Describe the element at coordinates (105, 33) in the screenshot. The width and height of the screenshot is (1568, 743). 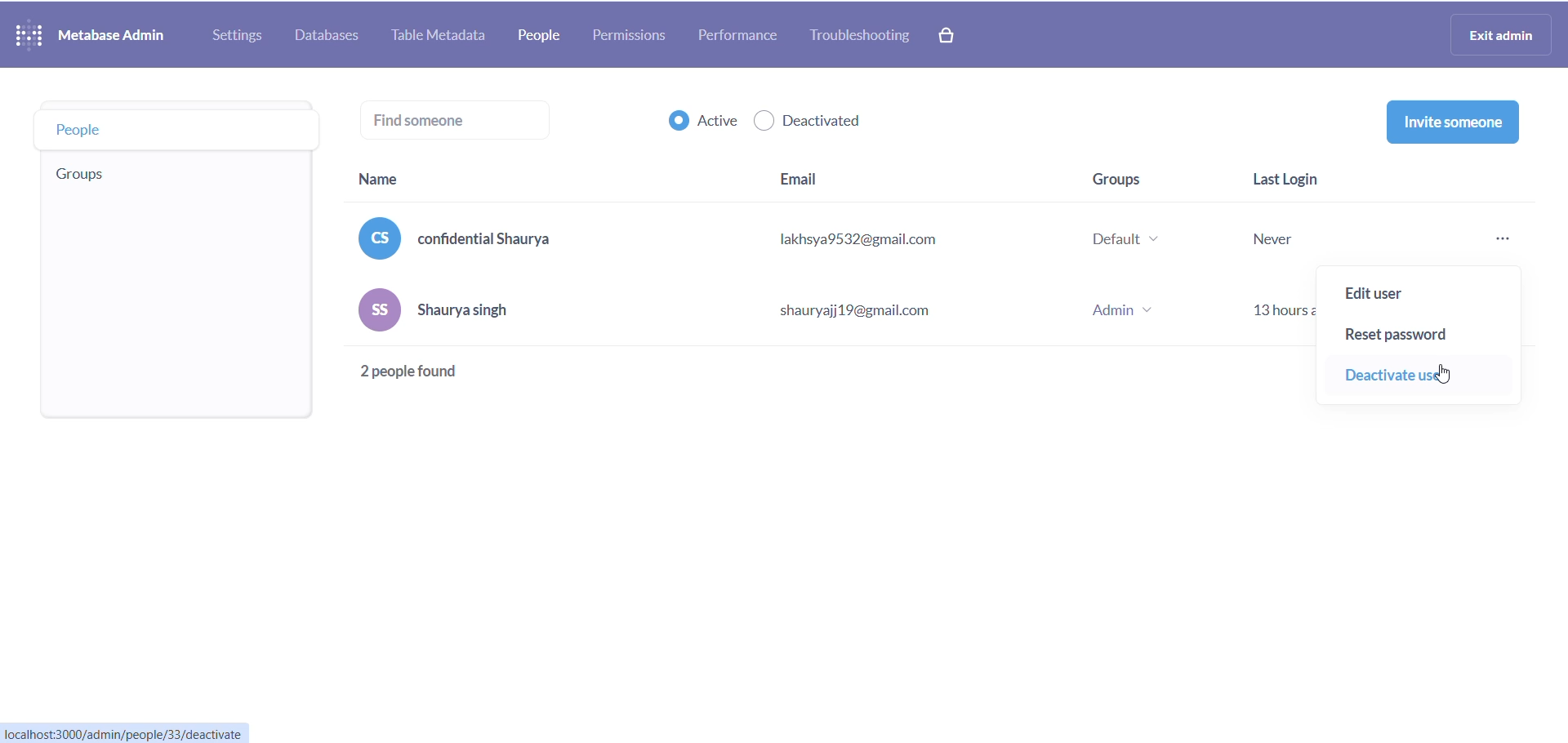
I see `NAME AND LOGO` at that location.